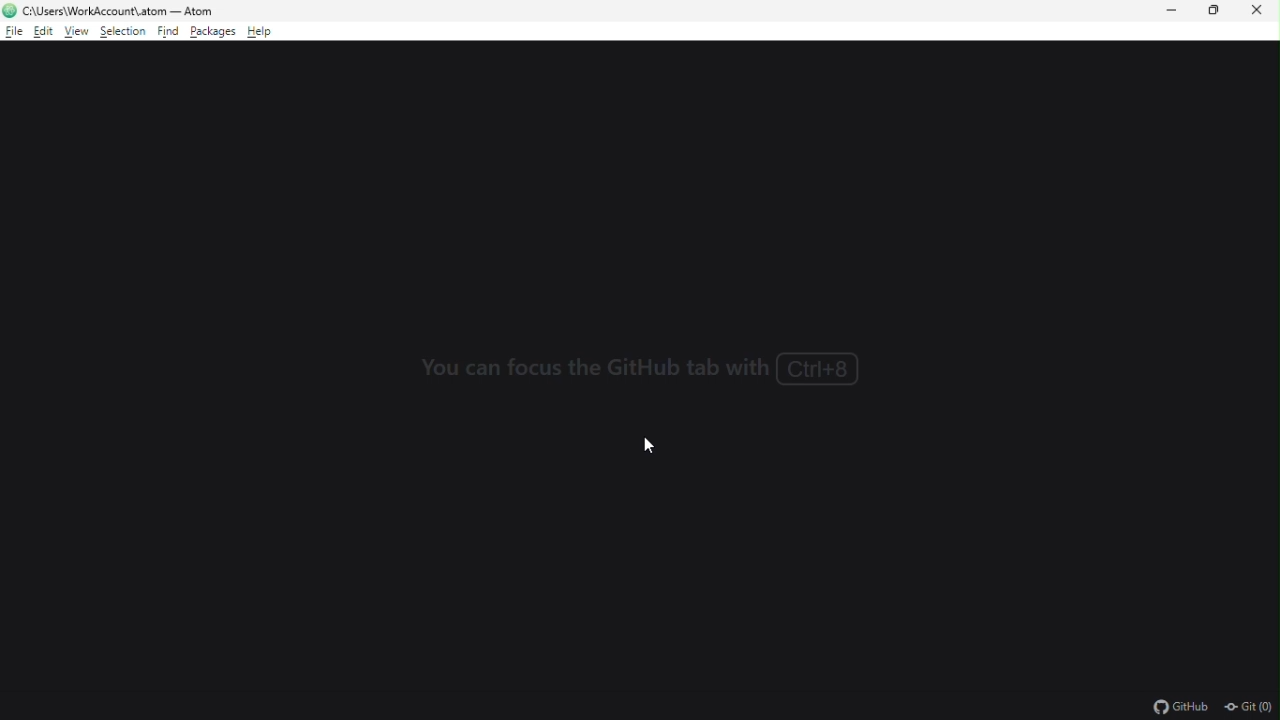  What do you see at coordinates (126, 10) in the screenshot?
I see `C:\Users\WorkAccount\.atom - Atom` at bounding box center [126, 10].